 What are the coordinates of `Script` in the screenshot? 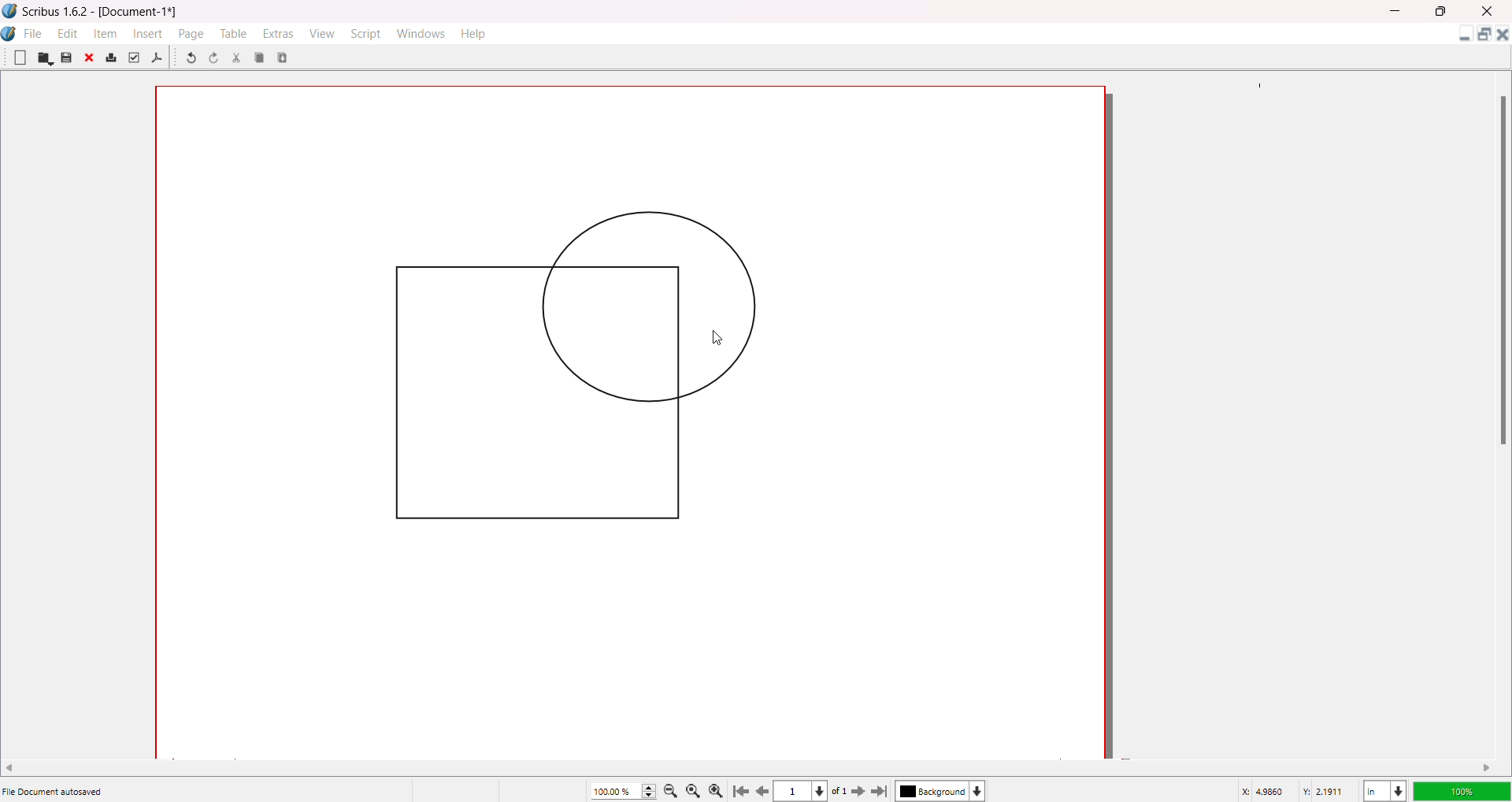 It's located at (368, 32).